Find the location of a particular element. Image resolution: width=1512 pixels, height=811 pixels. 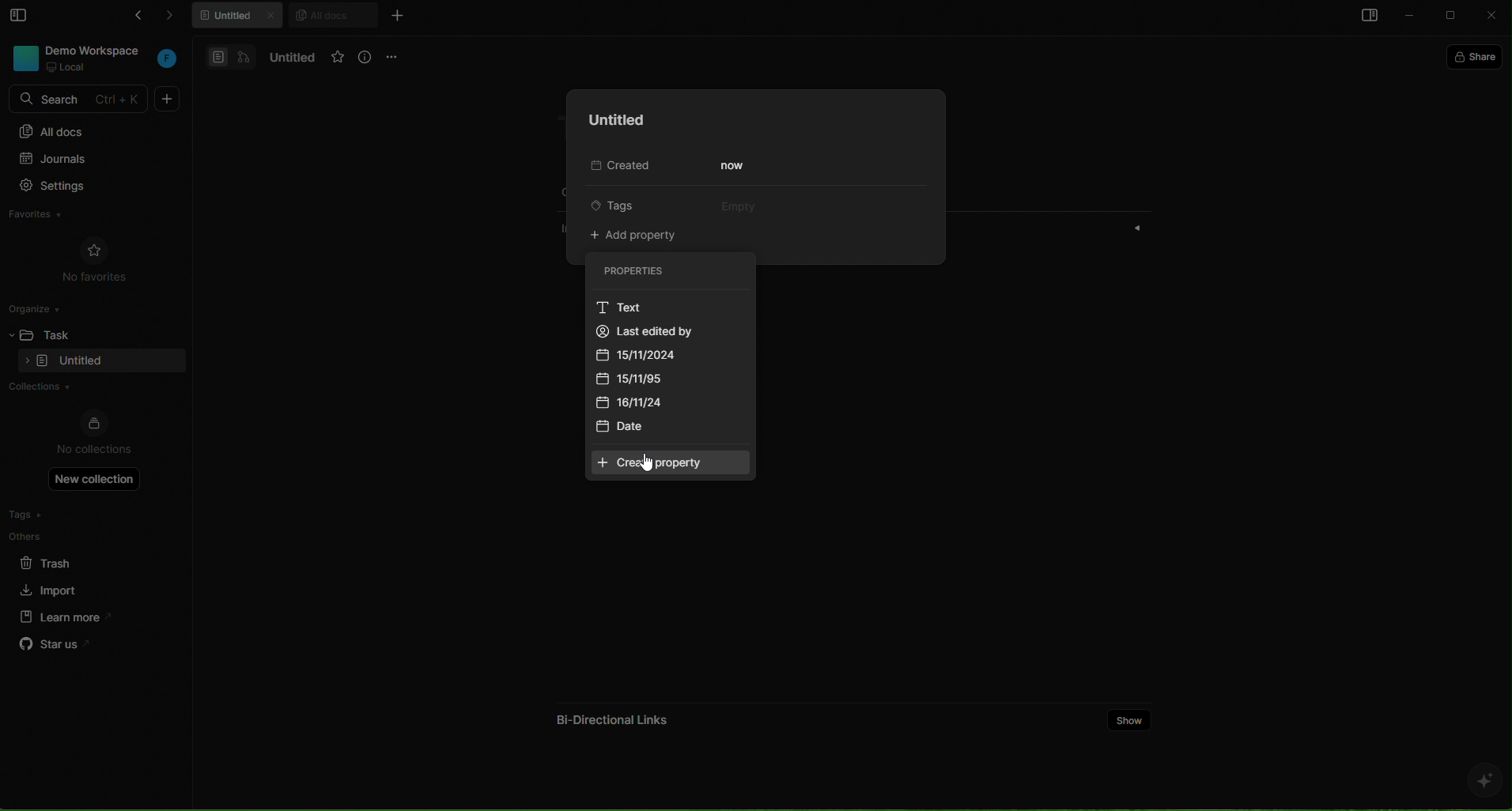

untitled is located at coordinates (289, 58).